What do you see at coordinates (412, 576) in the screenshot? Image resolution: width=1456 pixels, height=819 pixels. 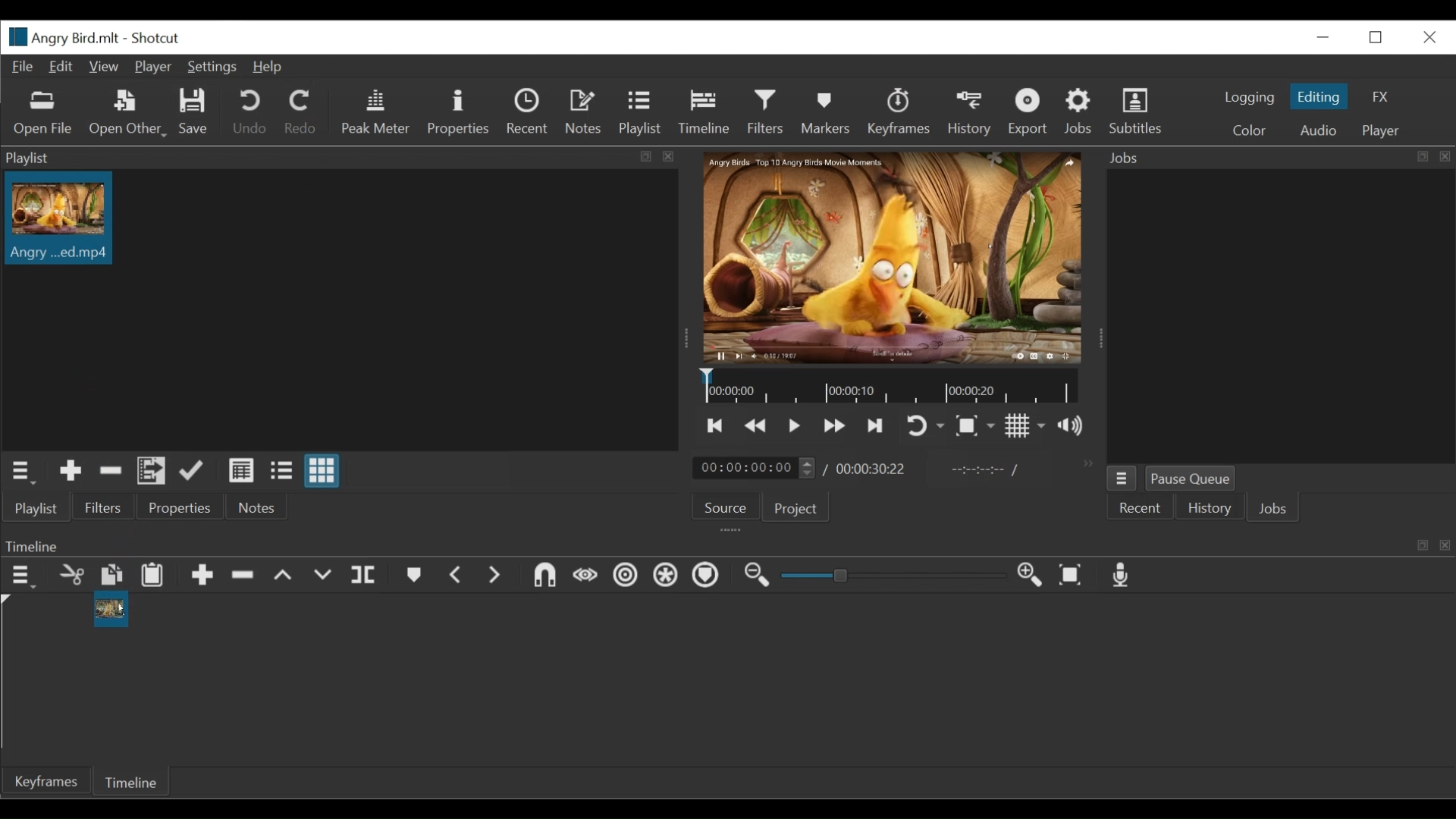 I see `Markers` at bounding box center [412, 576].